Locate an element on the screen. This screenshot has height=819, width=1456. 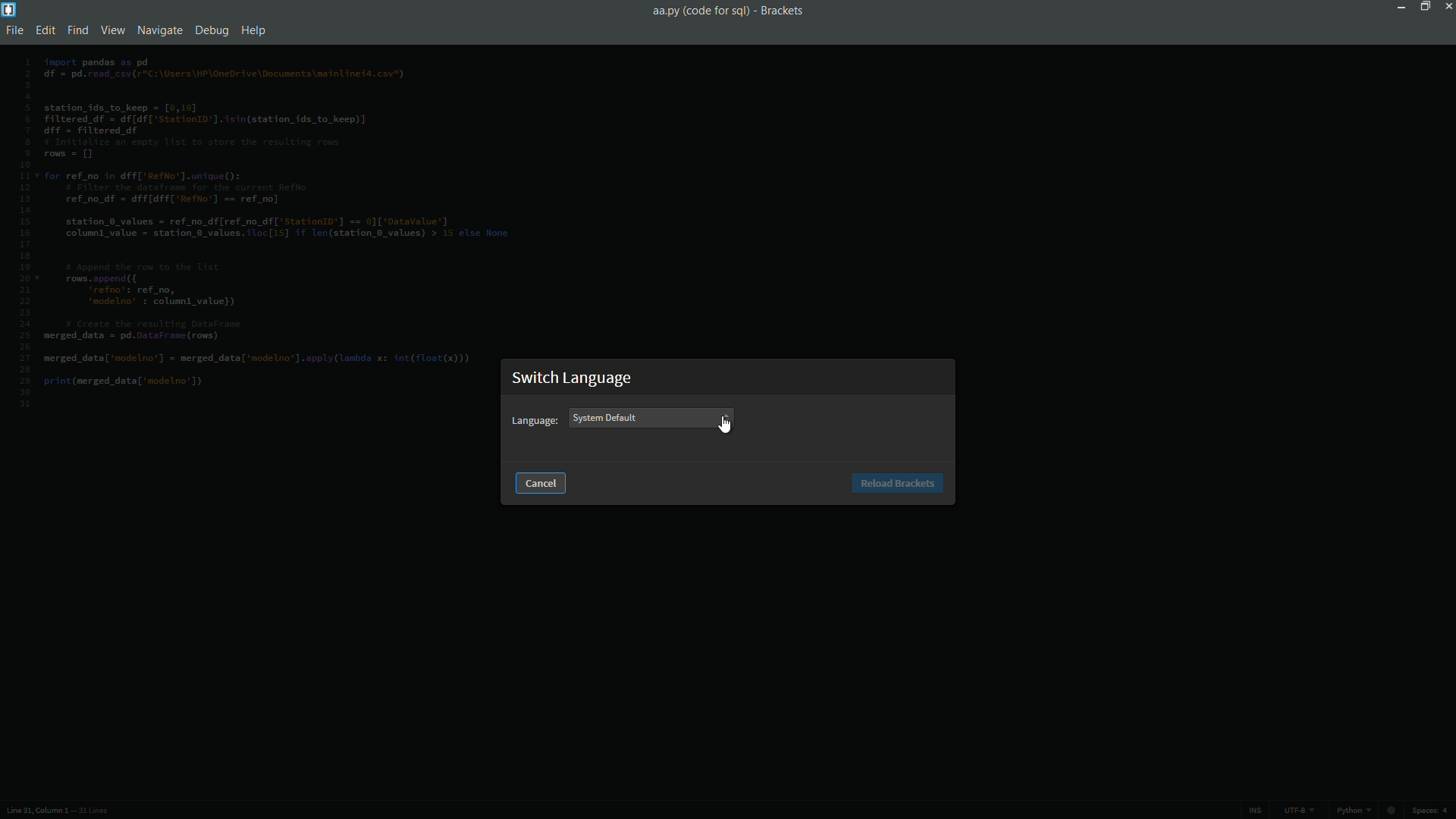
system default is located at coordinates (607, 419).